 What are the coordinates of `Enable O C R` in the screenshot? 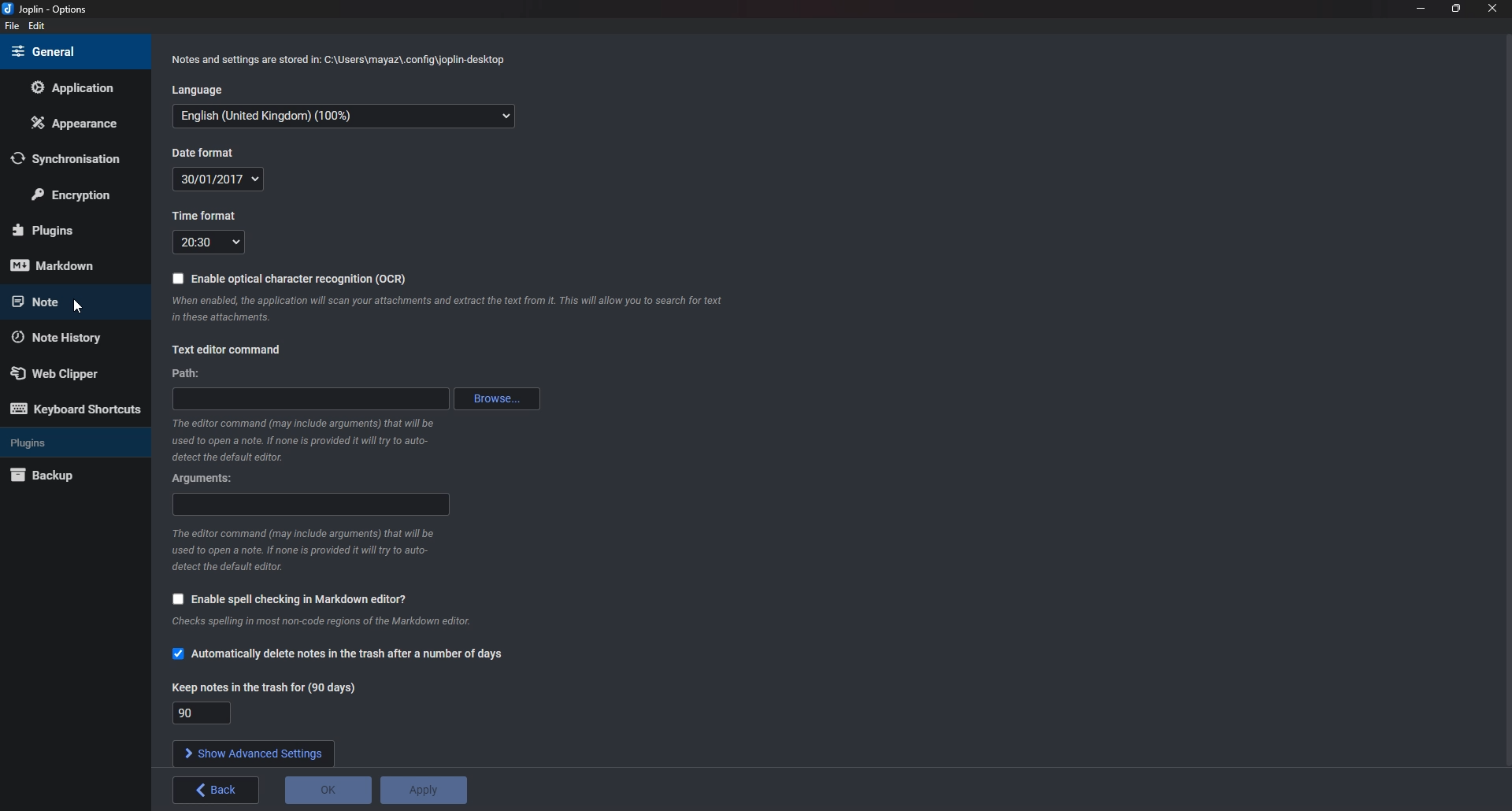 It's located at (290, 280).